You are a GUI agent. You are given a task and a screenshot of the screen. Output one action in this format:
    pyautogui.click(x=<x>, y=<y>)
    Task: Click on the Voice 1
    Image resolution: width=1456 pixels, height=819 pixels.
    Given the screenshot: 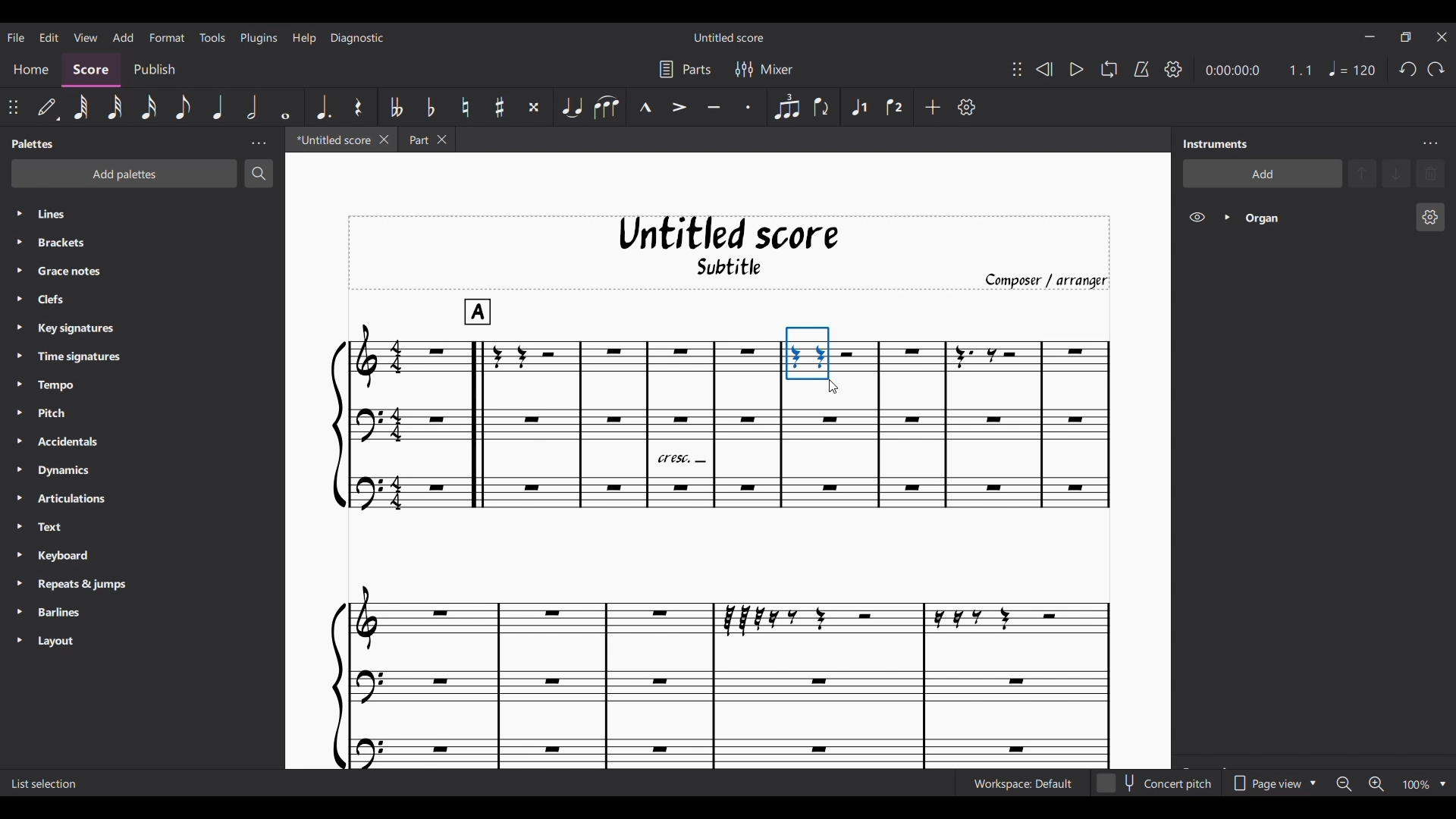 What is the action you would take?
    pyautogui.click(x=859, y=108)
    